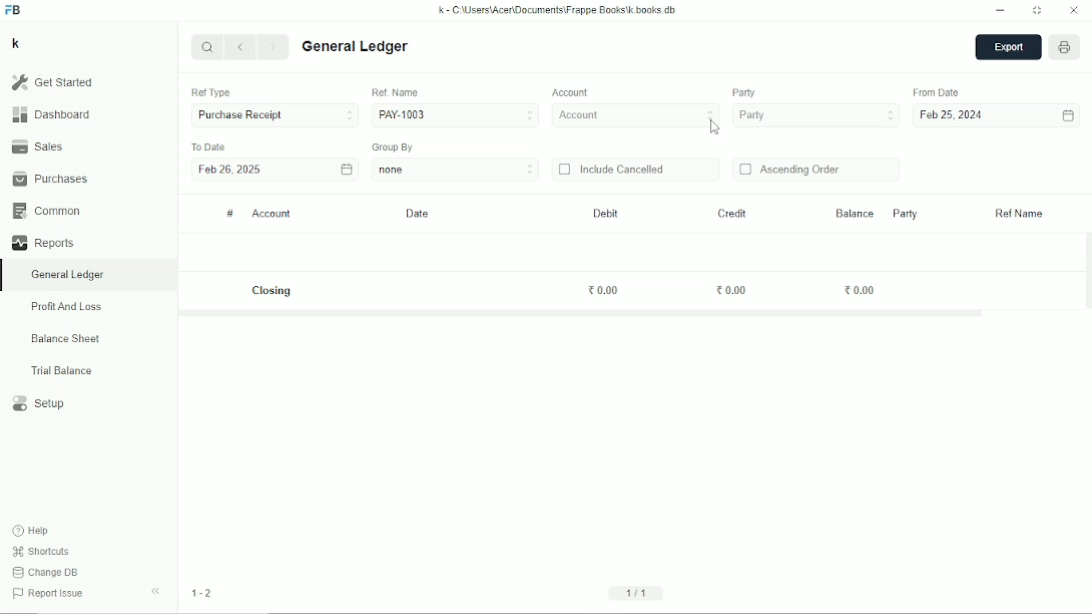 The height and width of the screenshot is (614, 1092). I want to click on 0.00, so click(860, 289).